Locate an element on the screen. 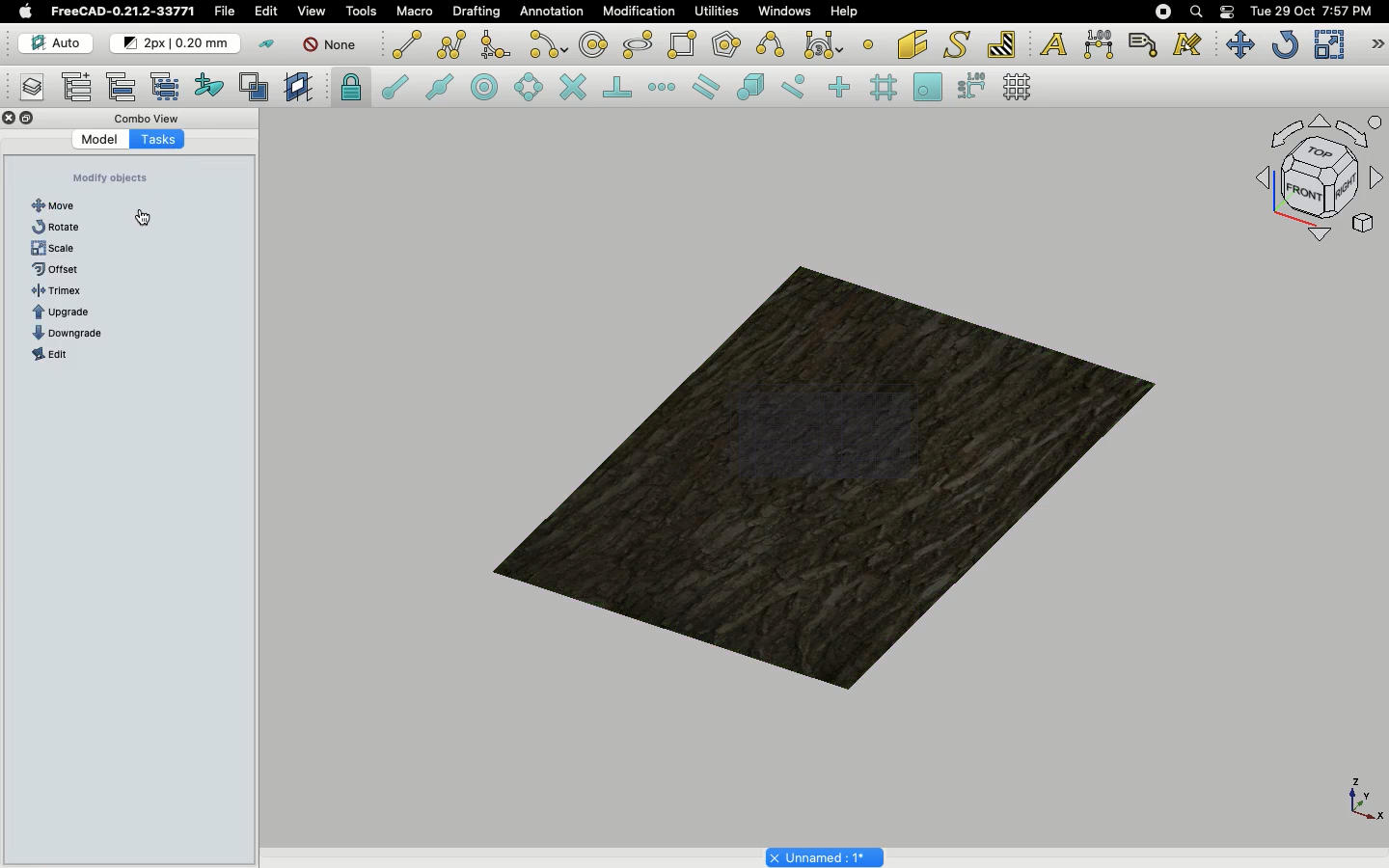  Shape from text is located at coordinates (960, 46).